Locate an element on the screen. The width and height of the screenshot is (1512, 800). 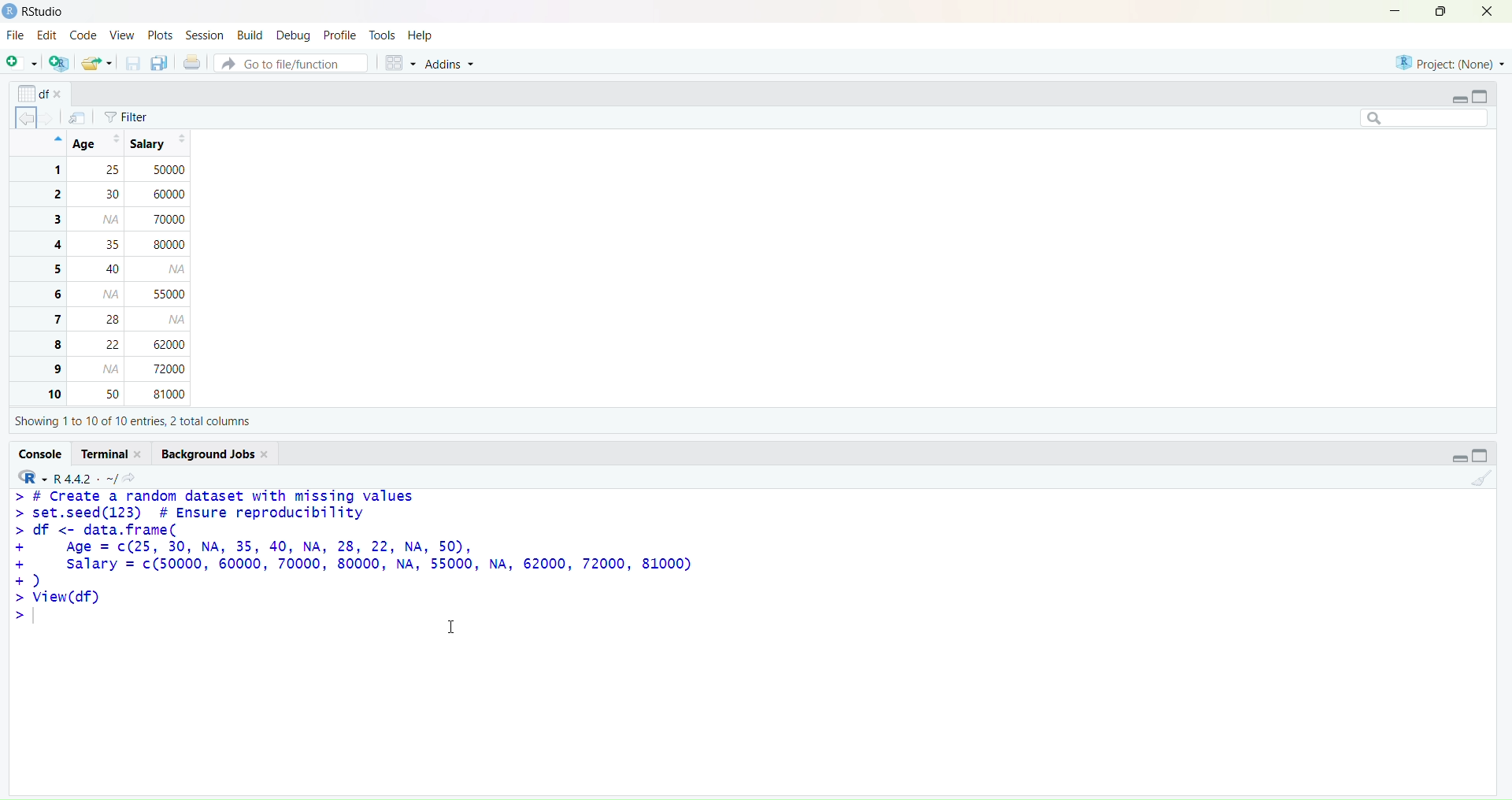
R 4.4.2 is located at coordinates (65, 476).